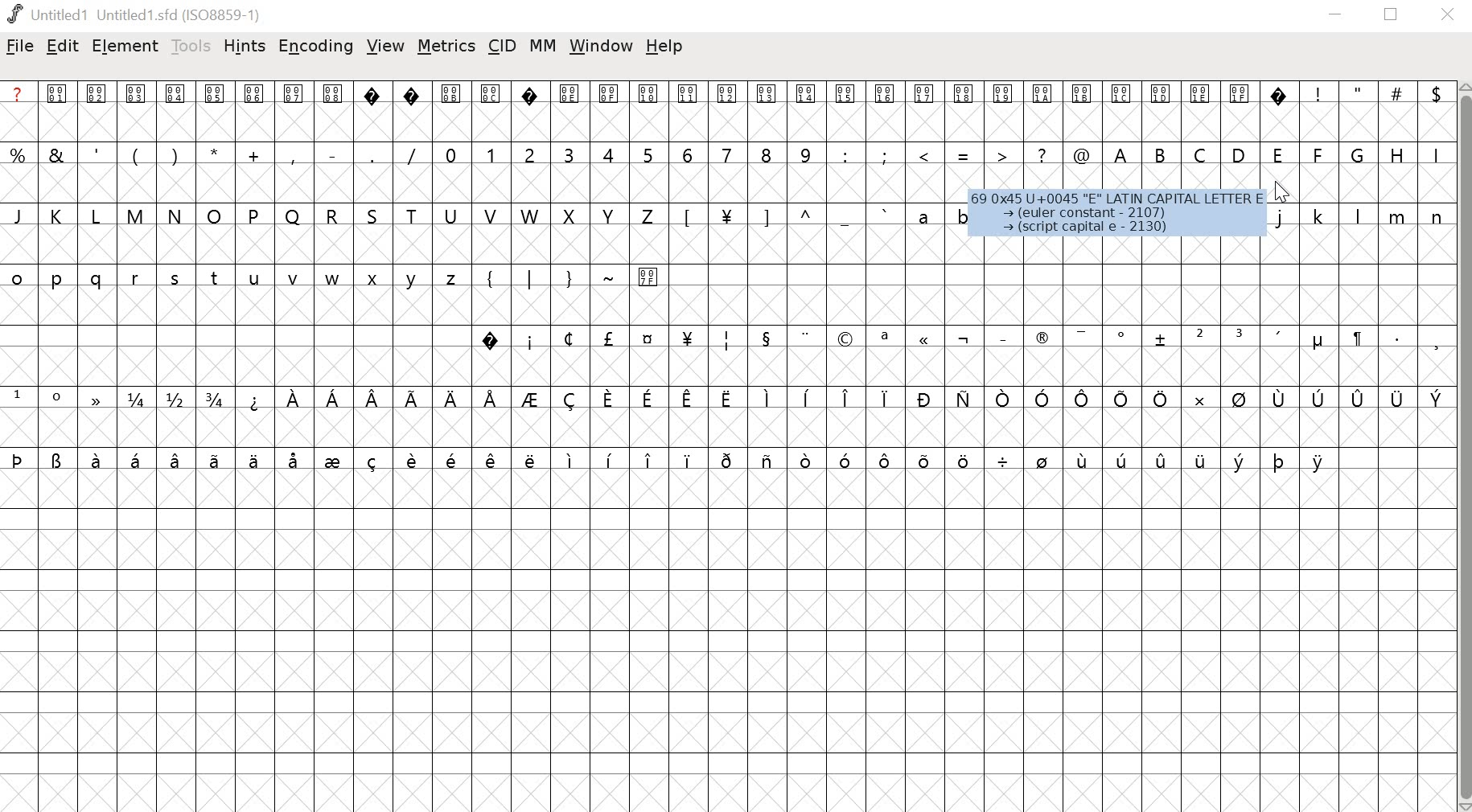 Image resolution: width=1472 pixels, height=812 pixels. What do you see at coordinates (235, 335) in the screenshot?
I see `empty cells` at bounding box center [235, 335].